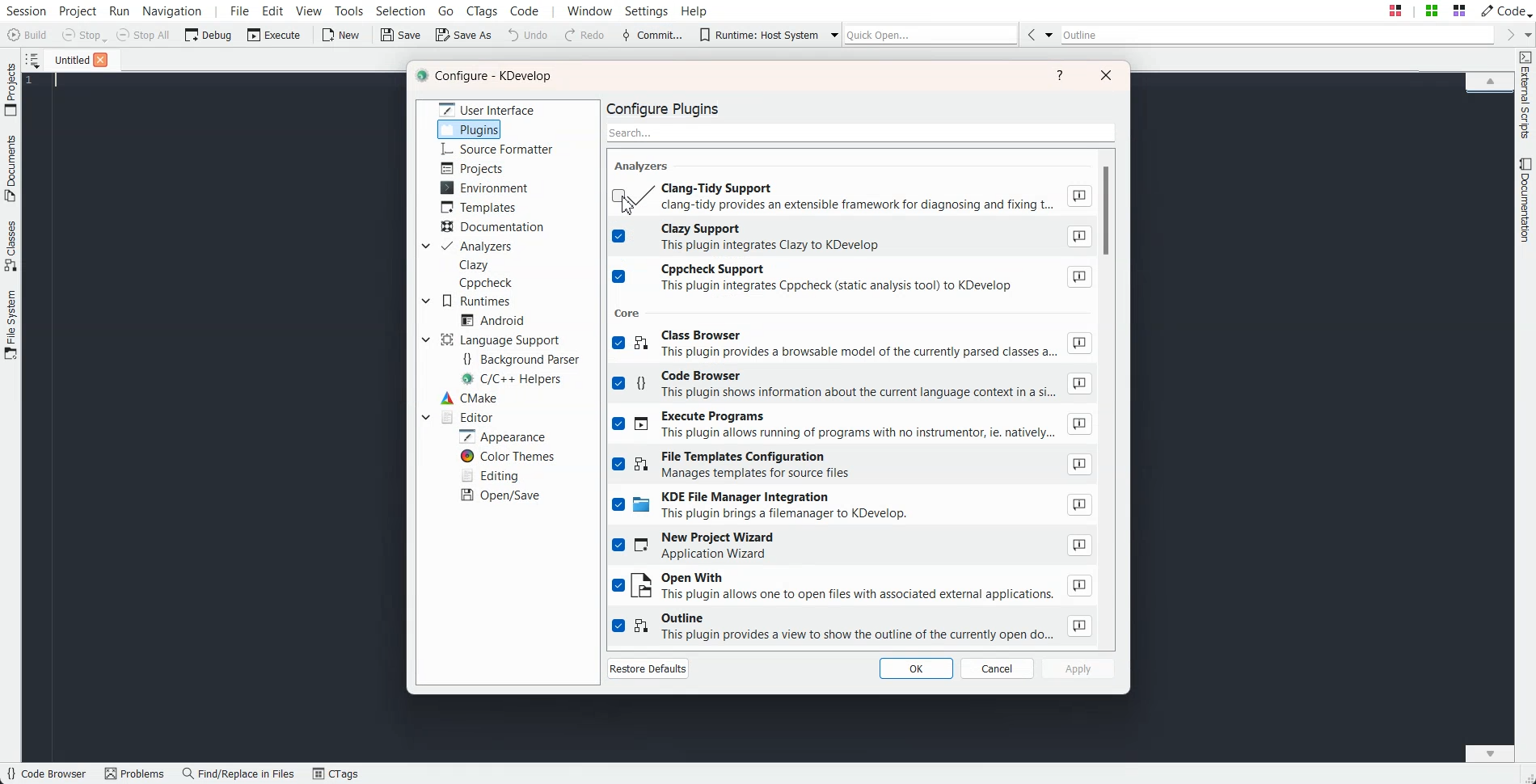  What do you see at coordinates (58, 81) in the screenshot?
I see `Text Cursor` at bounding box center [58, 81].